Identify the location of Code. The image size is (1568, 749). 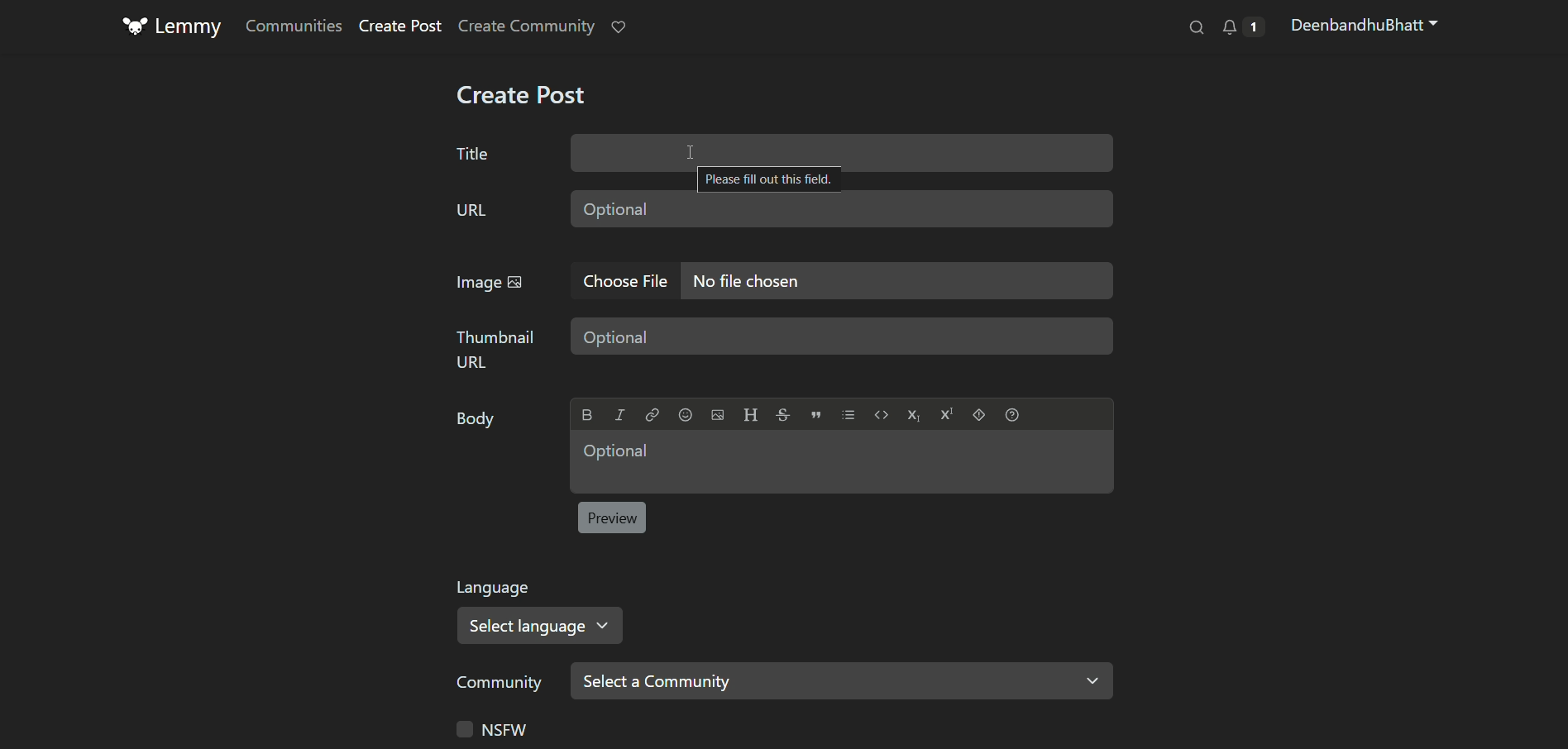
(882, 415).